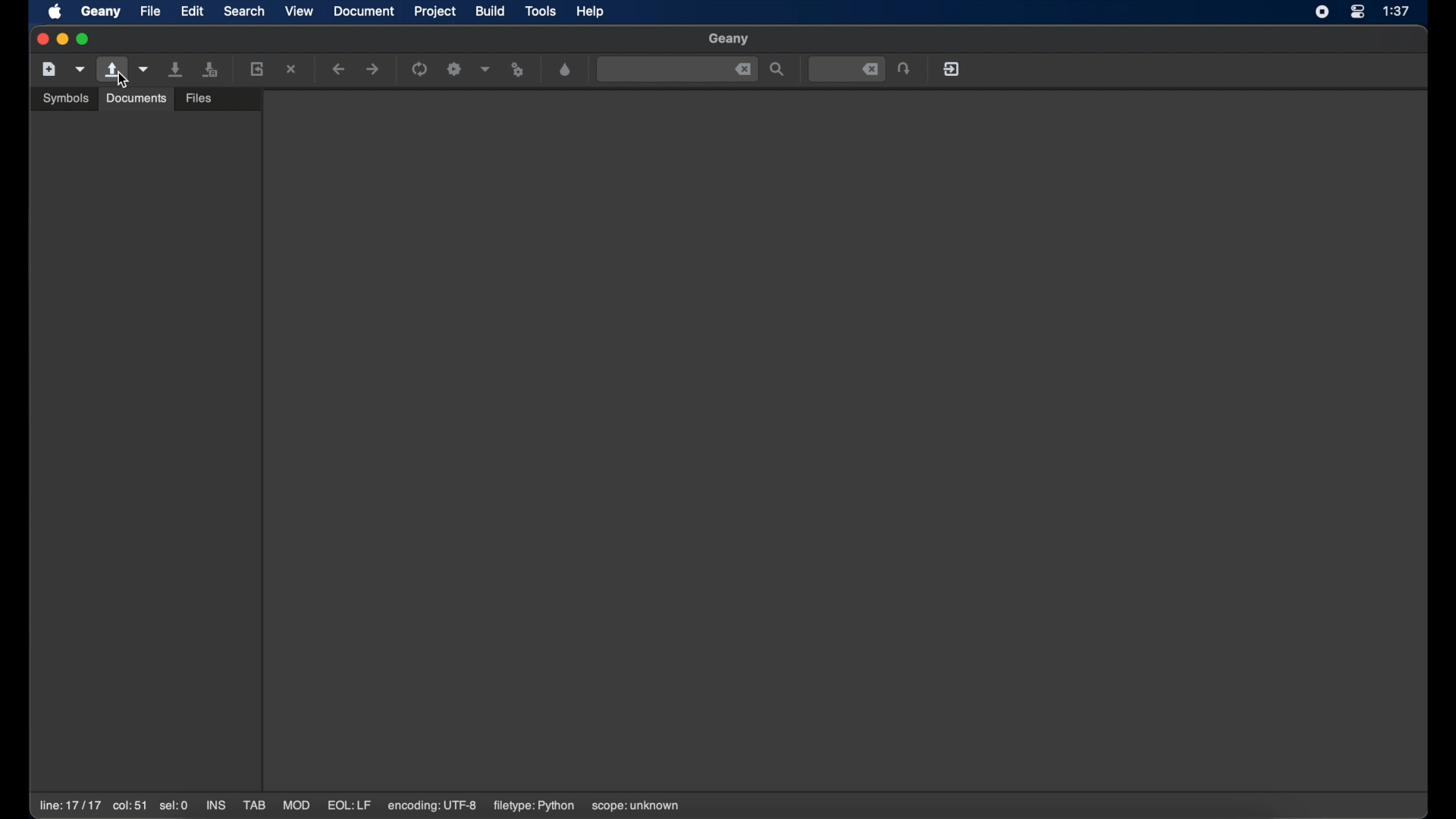 This screenshot has height=819, width=1456. I want to click on project, so click(435, 11).